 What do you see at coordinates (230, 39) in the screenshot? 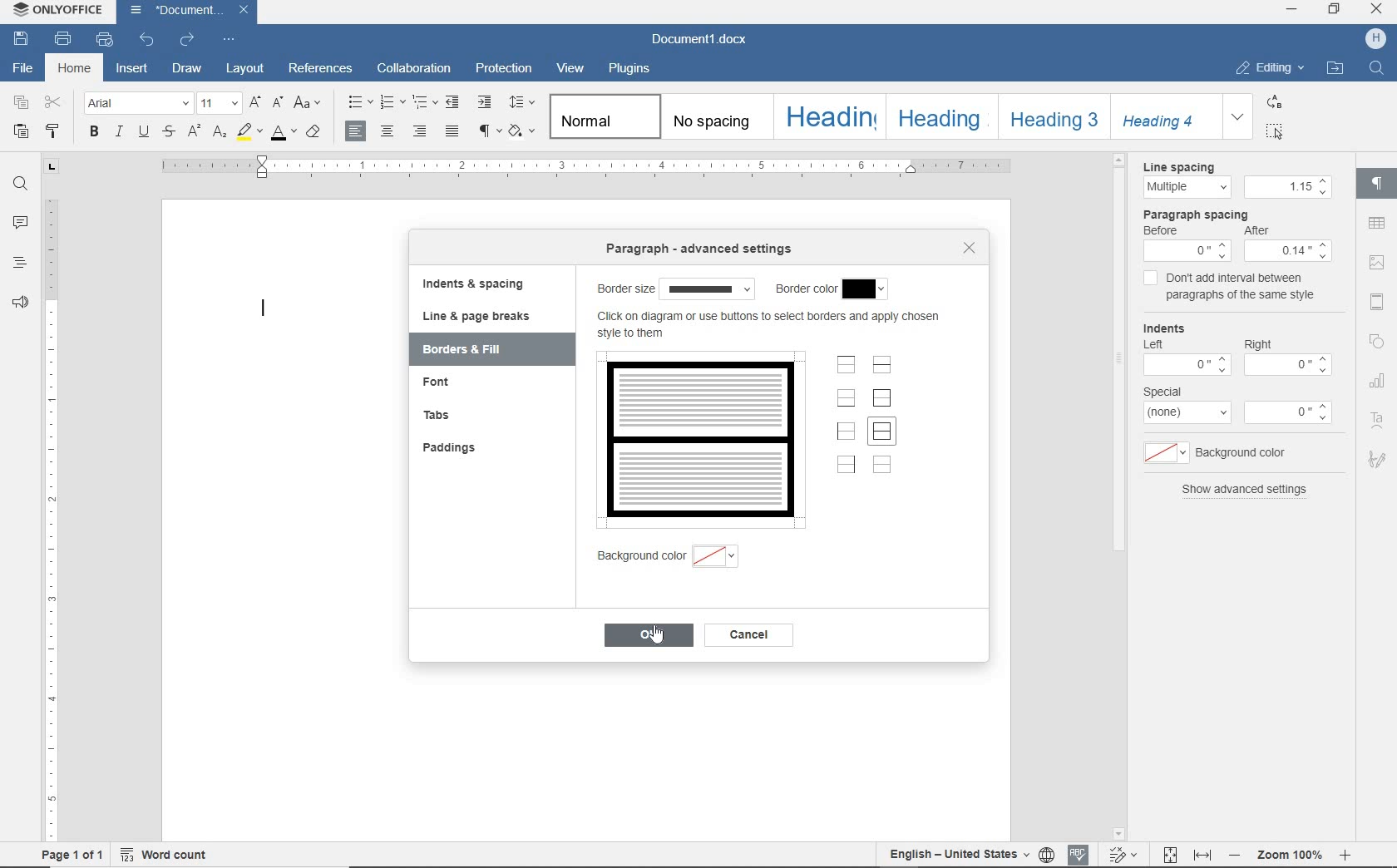
I see `customize quick access` at bounding box center [230, 39].